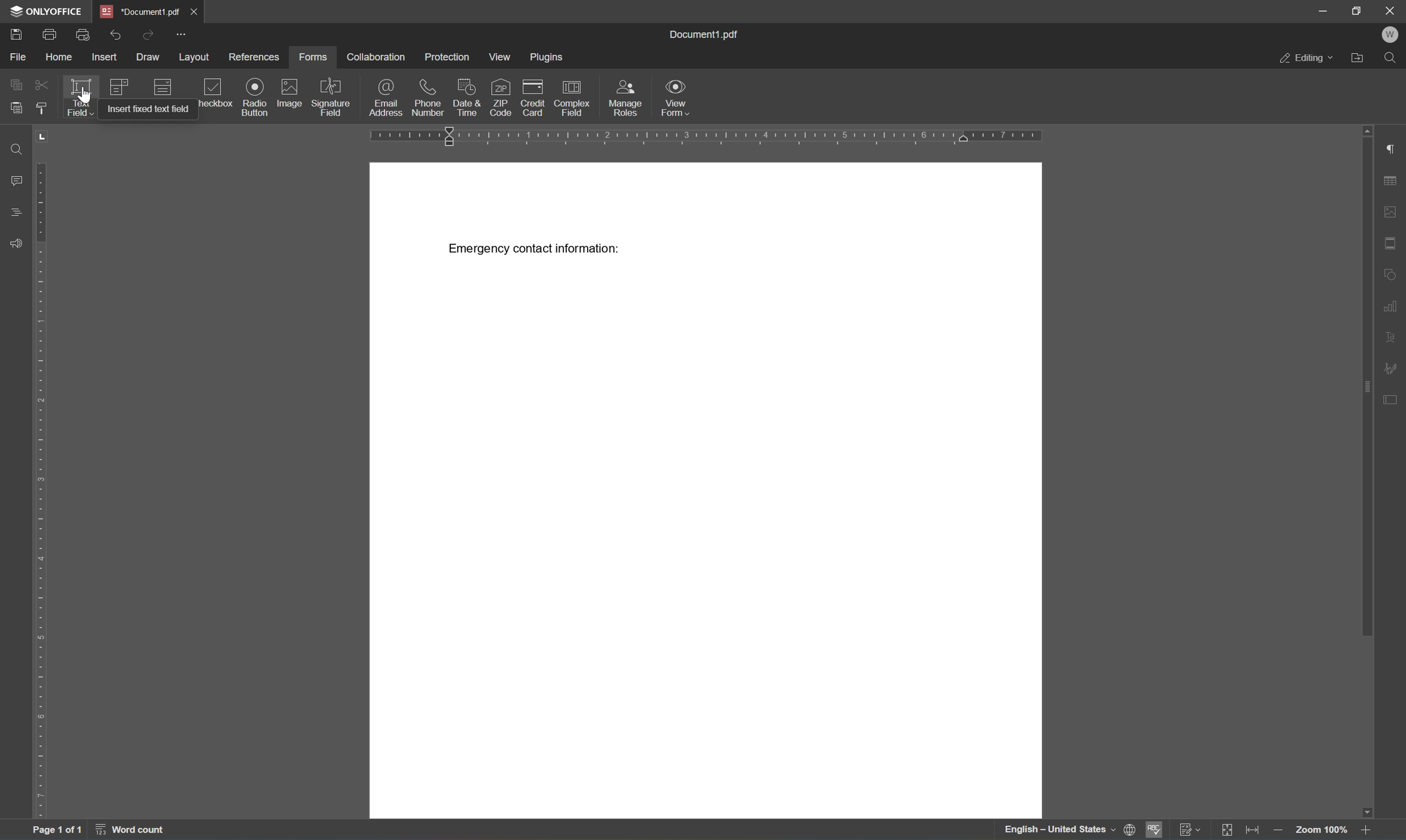 Image resolution: width=1406 pixels, height=840 pixels. I want to click on insert fixed text field, so click(147, 109).